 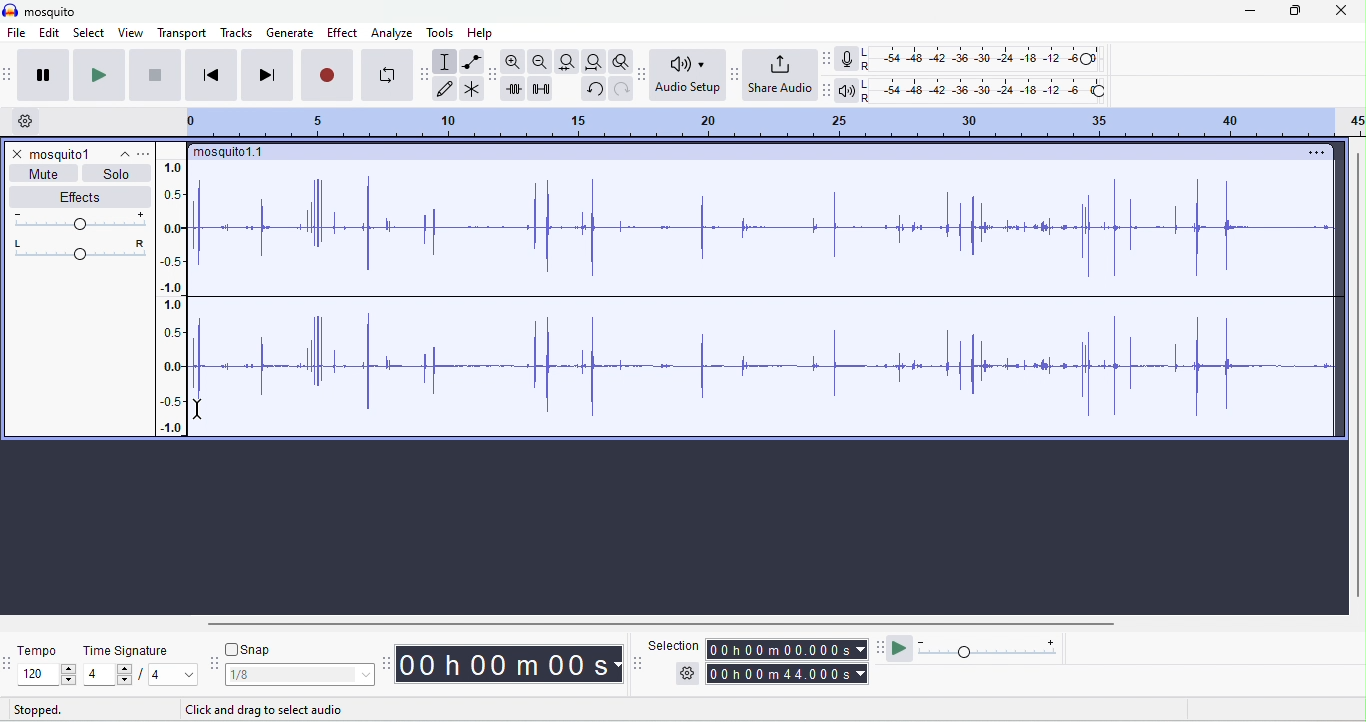 What do you see at coordinates (542, 88) in the screenshot?
I see `silence selection` at bounding box center [542, 88].